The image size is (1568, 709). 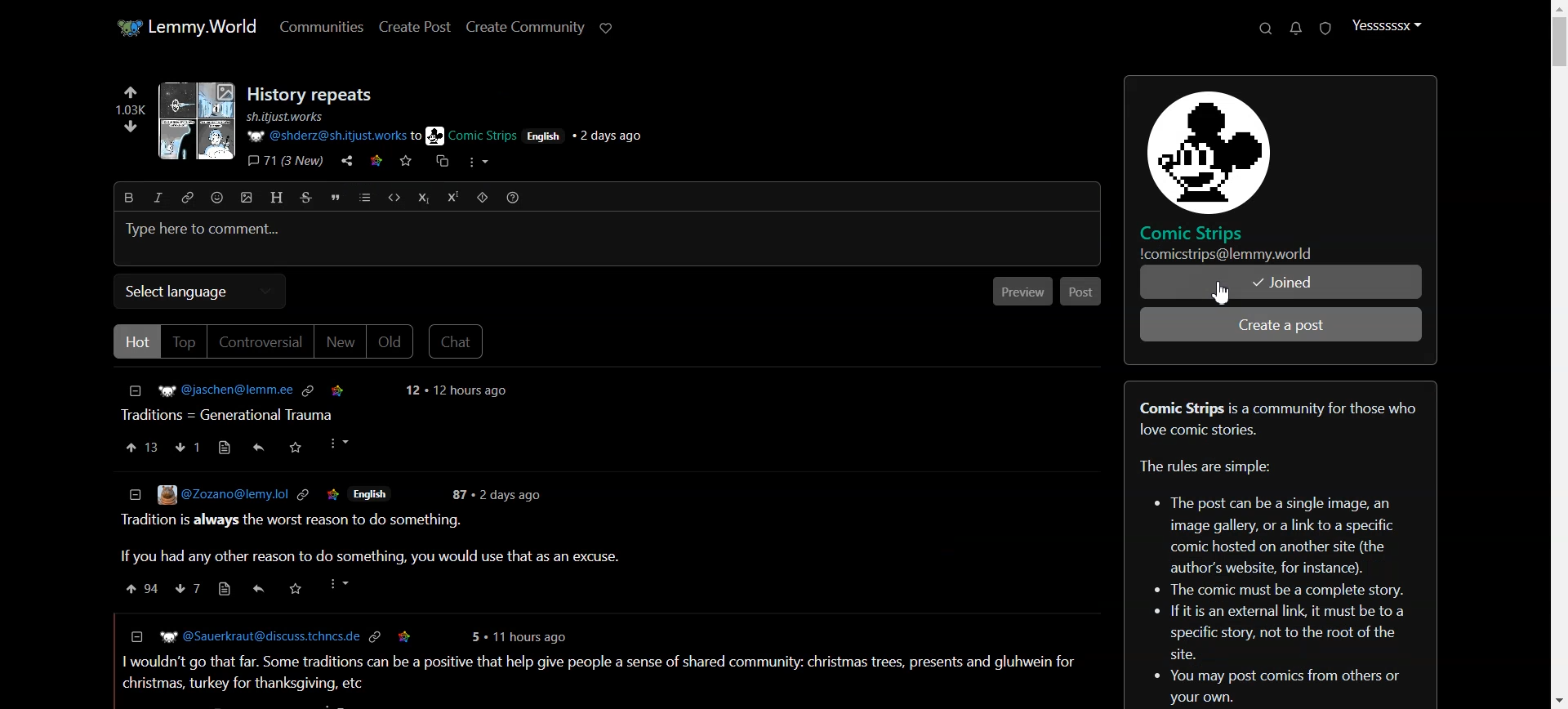 I want to click on Spoiler, so click(x=483, y=197).